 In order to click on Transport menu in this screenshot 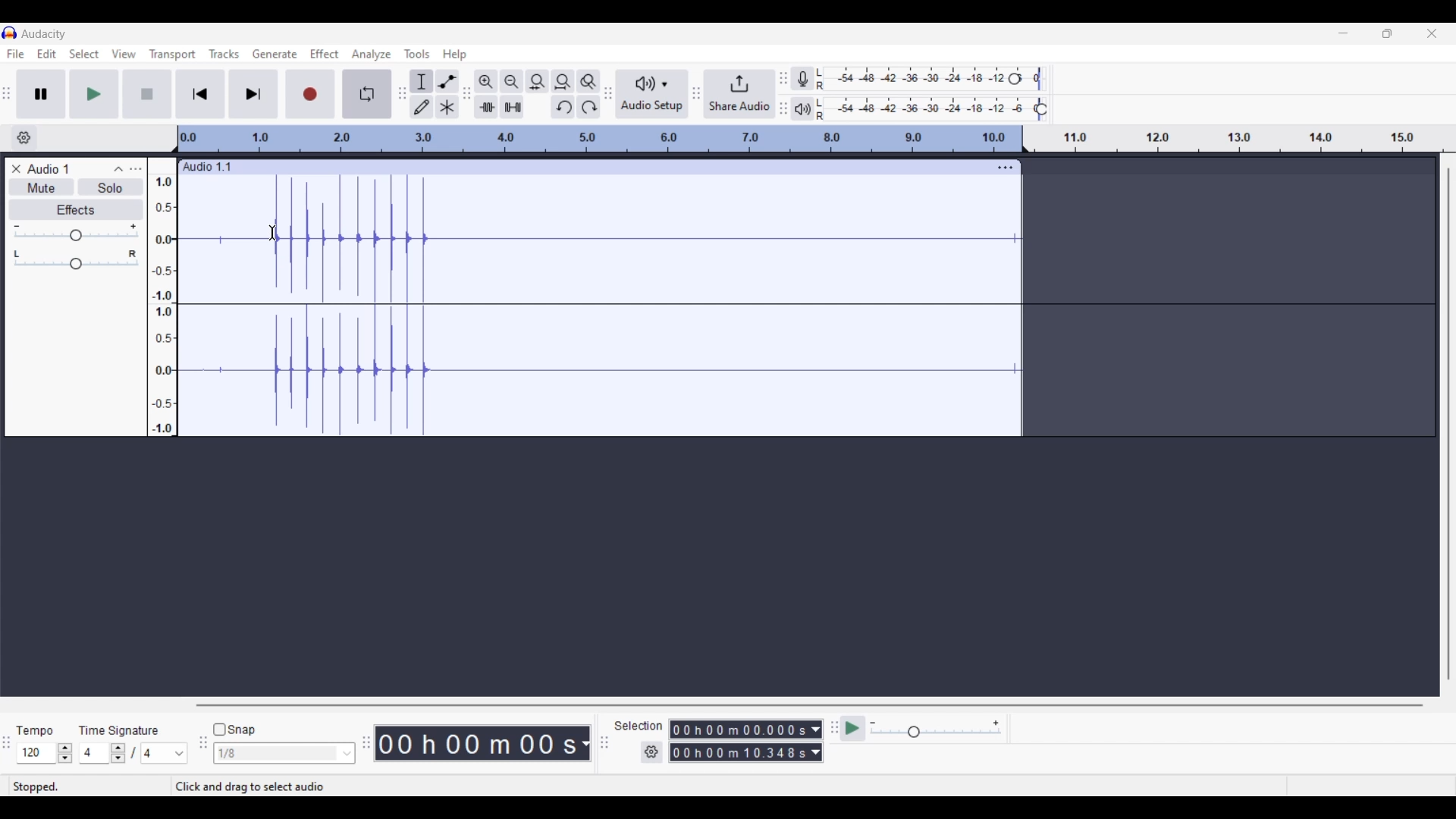, I will do `click(173, 54)`.